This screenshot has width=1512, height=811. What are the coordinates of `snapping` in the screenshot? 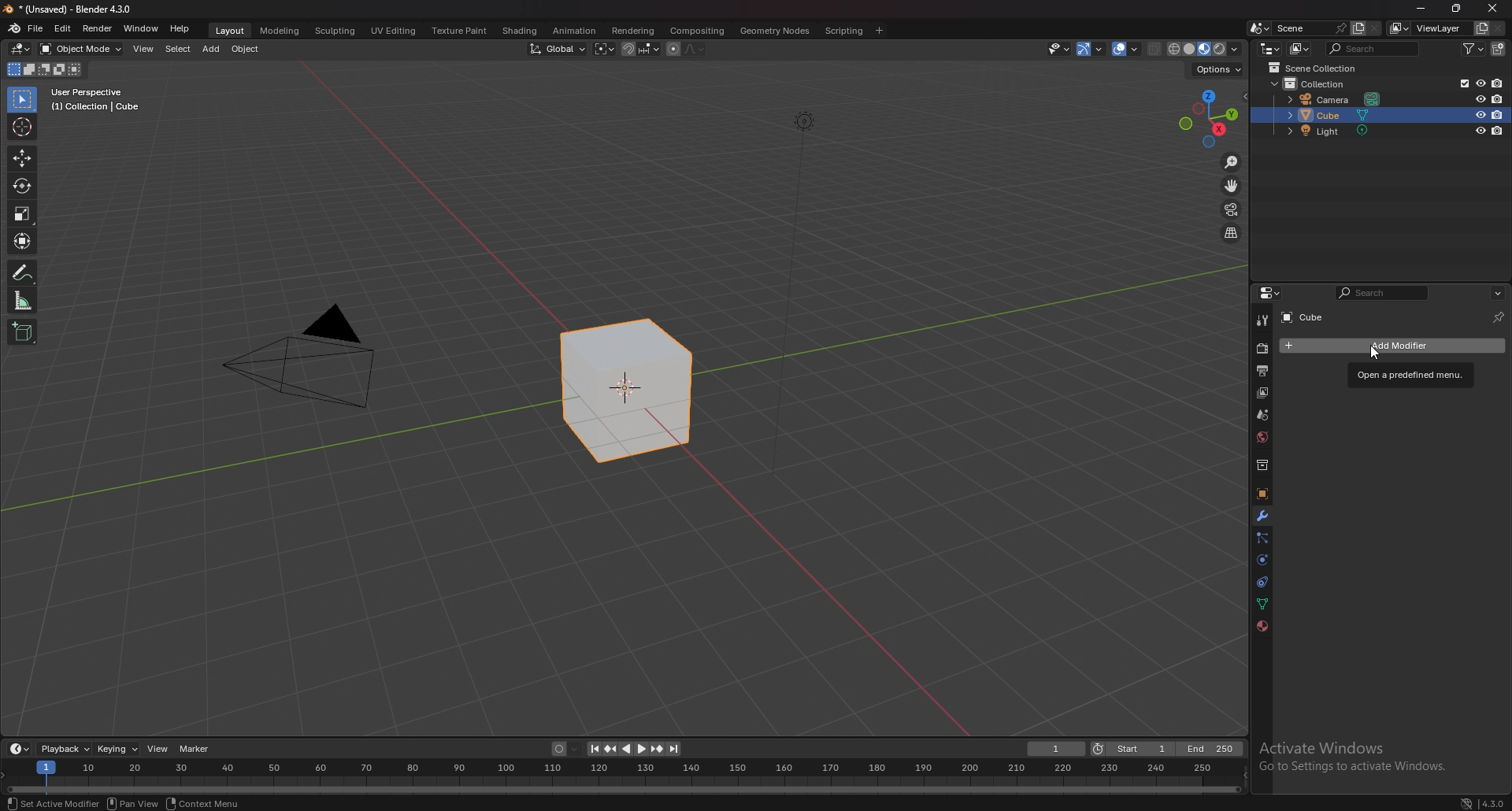 It's located at (641, 50).